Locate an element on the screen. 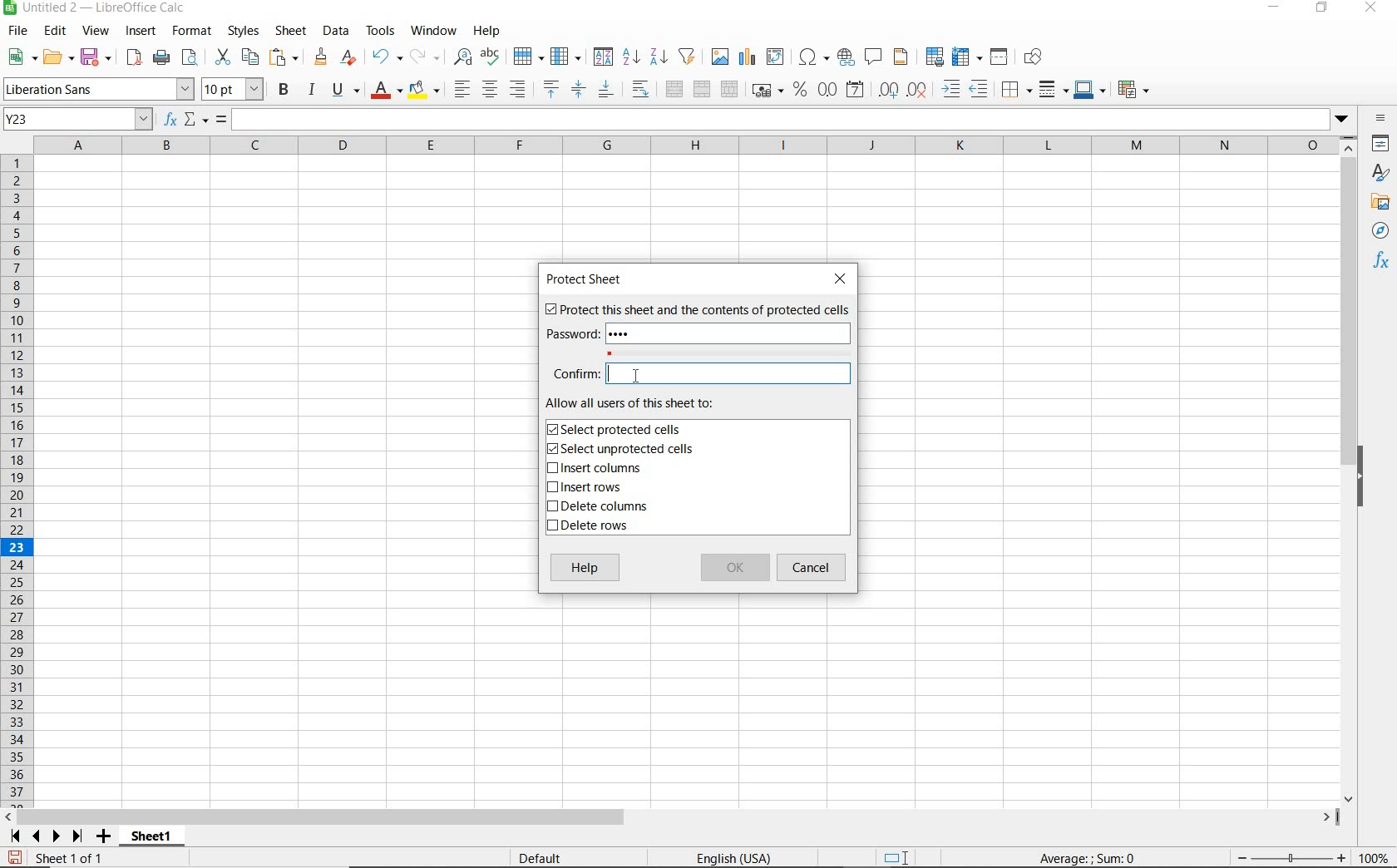 Image resolution: width=1397 pixels, height=868 pixels. AUTOFILTER is located at coordinates (688, 56).